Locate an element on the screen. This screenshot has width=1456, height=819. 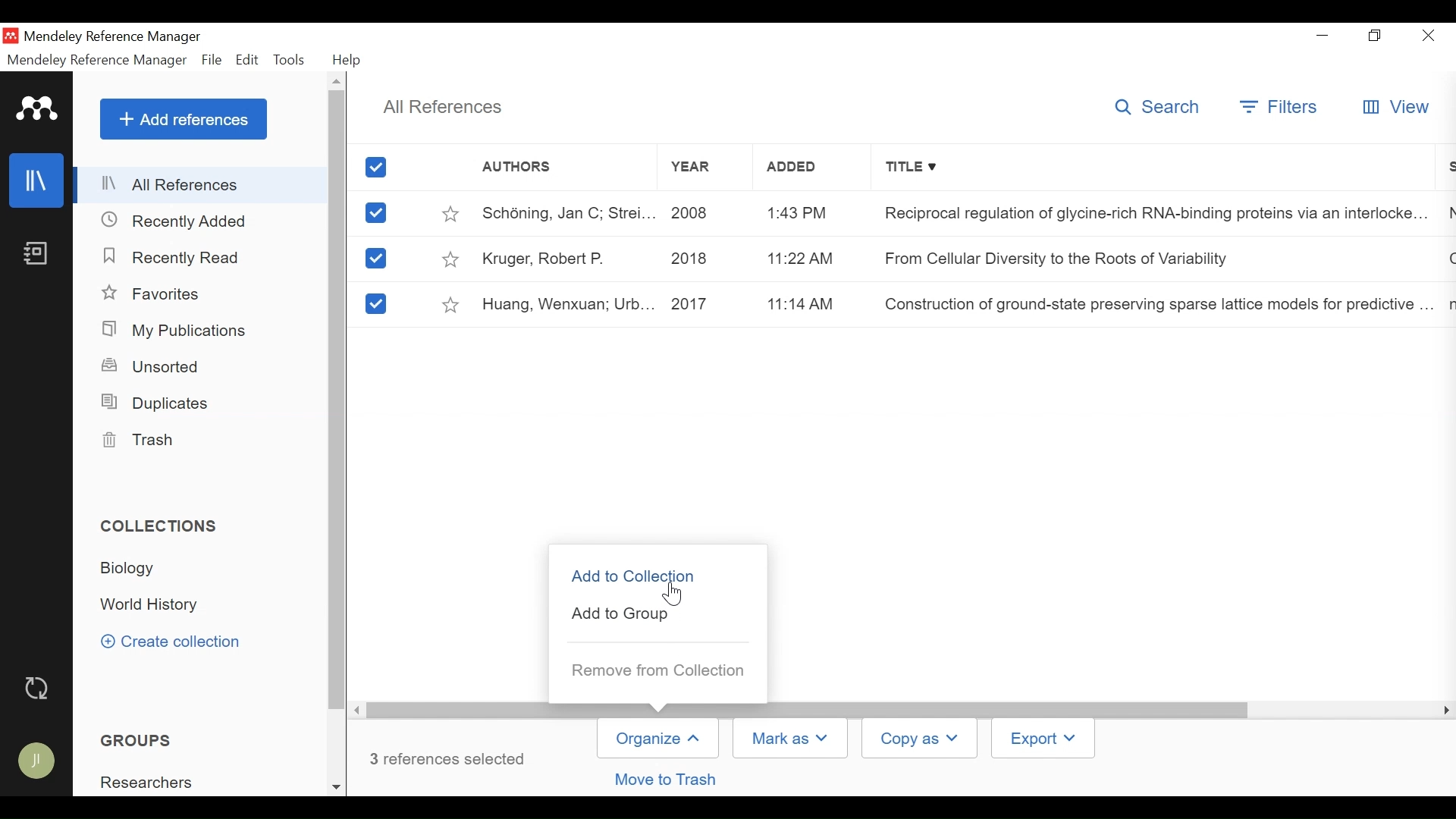
Horizontal Scroll bar is located at coordinates (808, 709).